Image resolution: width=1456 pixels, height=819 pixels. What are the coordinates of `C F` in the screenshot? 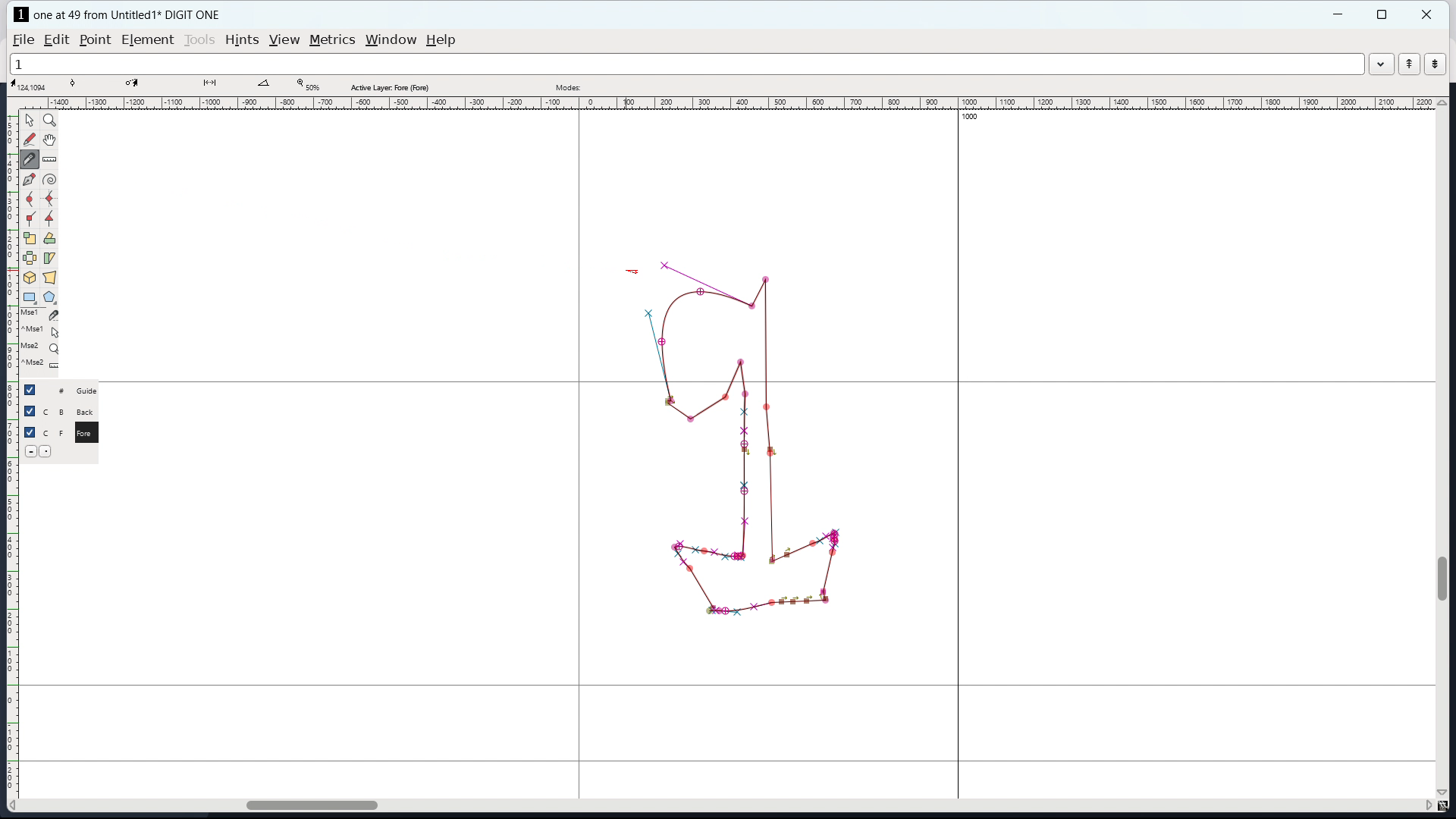 It's located at (53, 431).